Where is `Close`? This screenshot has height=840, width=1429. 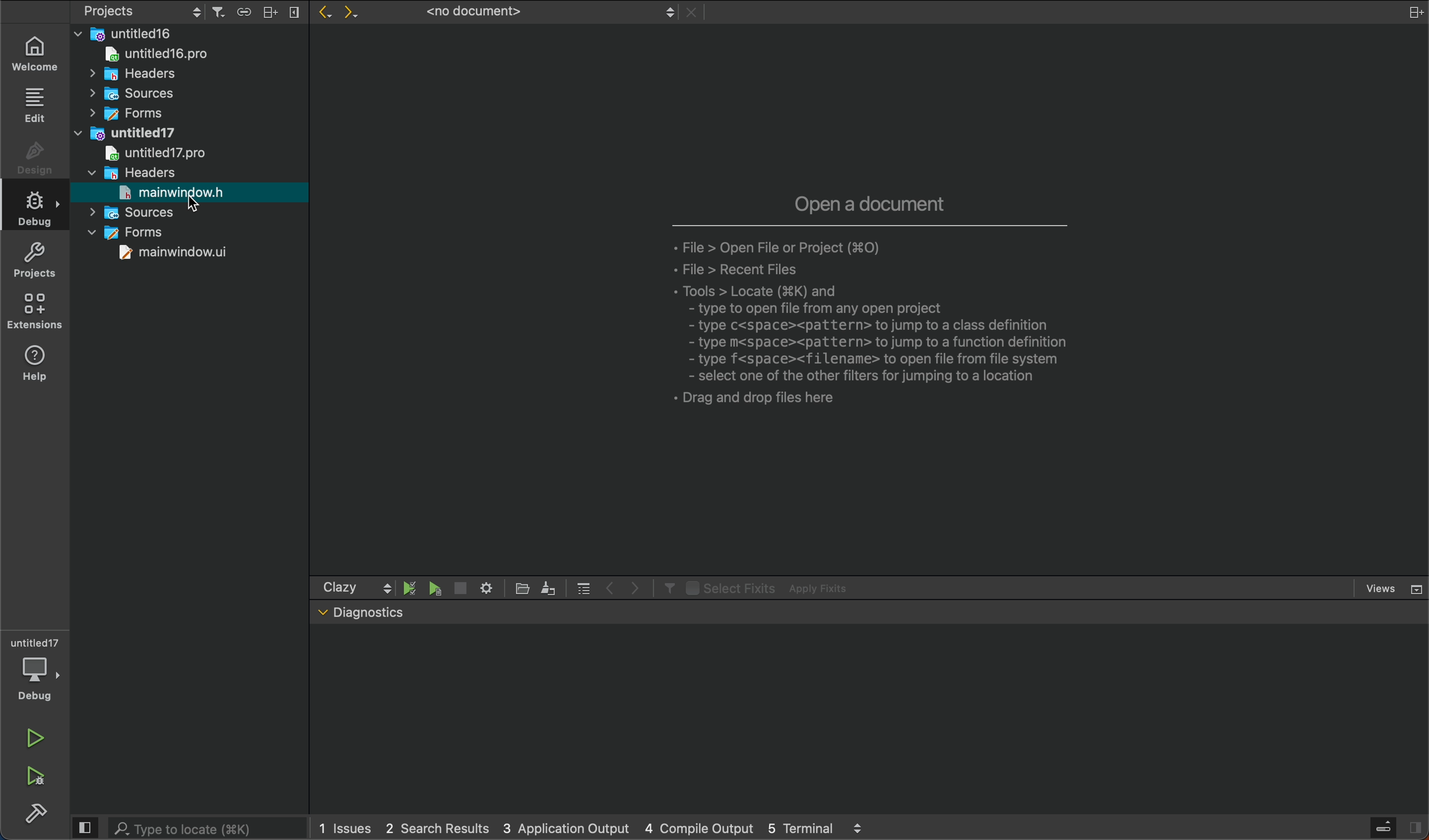 Close is located at coordinates (694, 12).